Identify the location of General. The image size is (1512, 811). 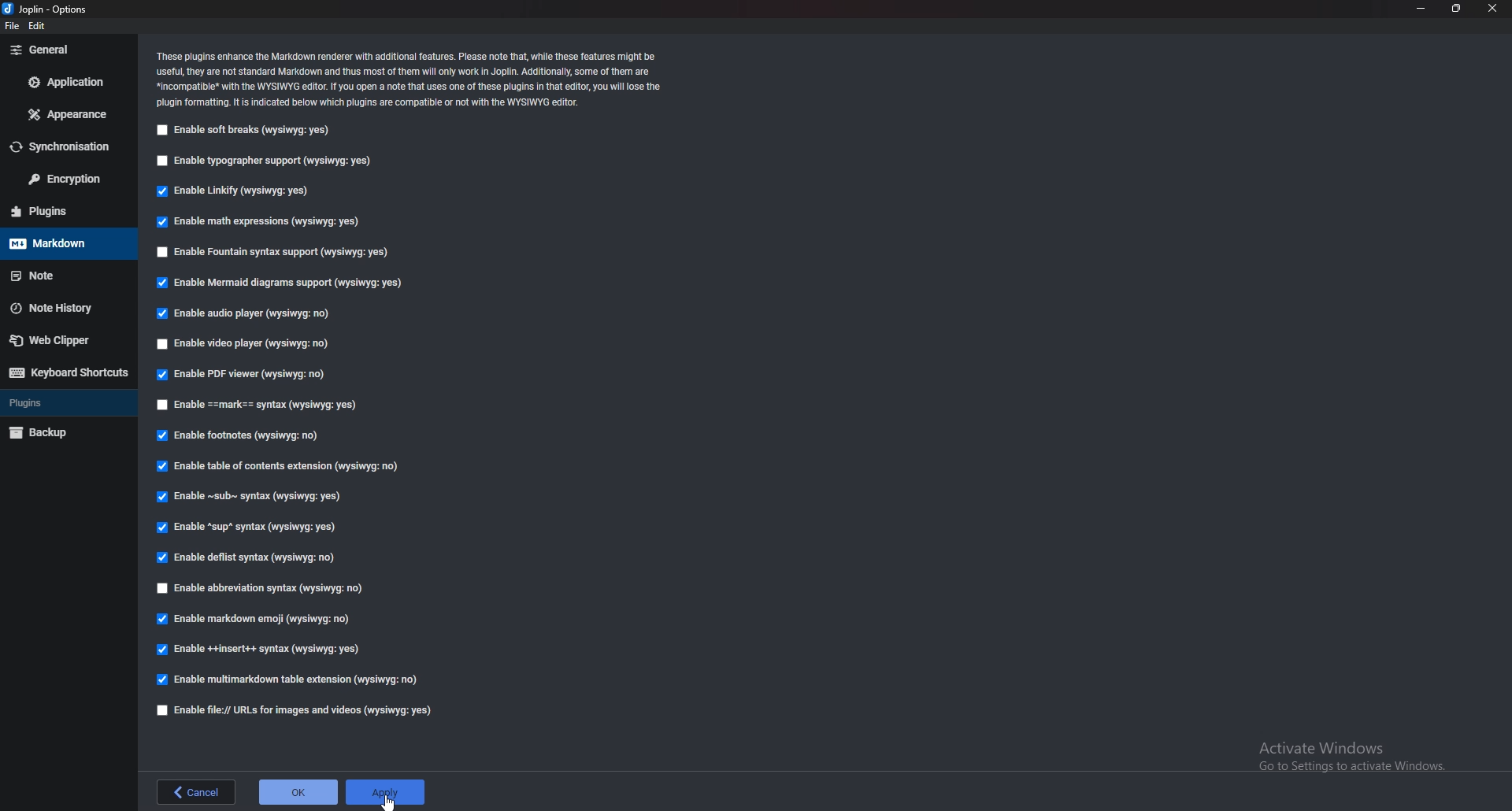
(62, 50).